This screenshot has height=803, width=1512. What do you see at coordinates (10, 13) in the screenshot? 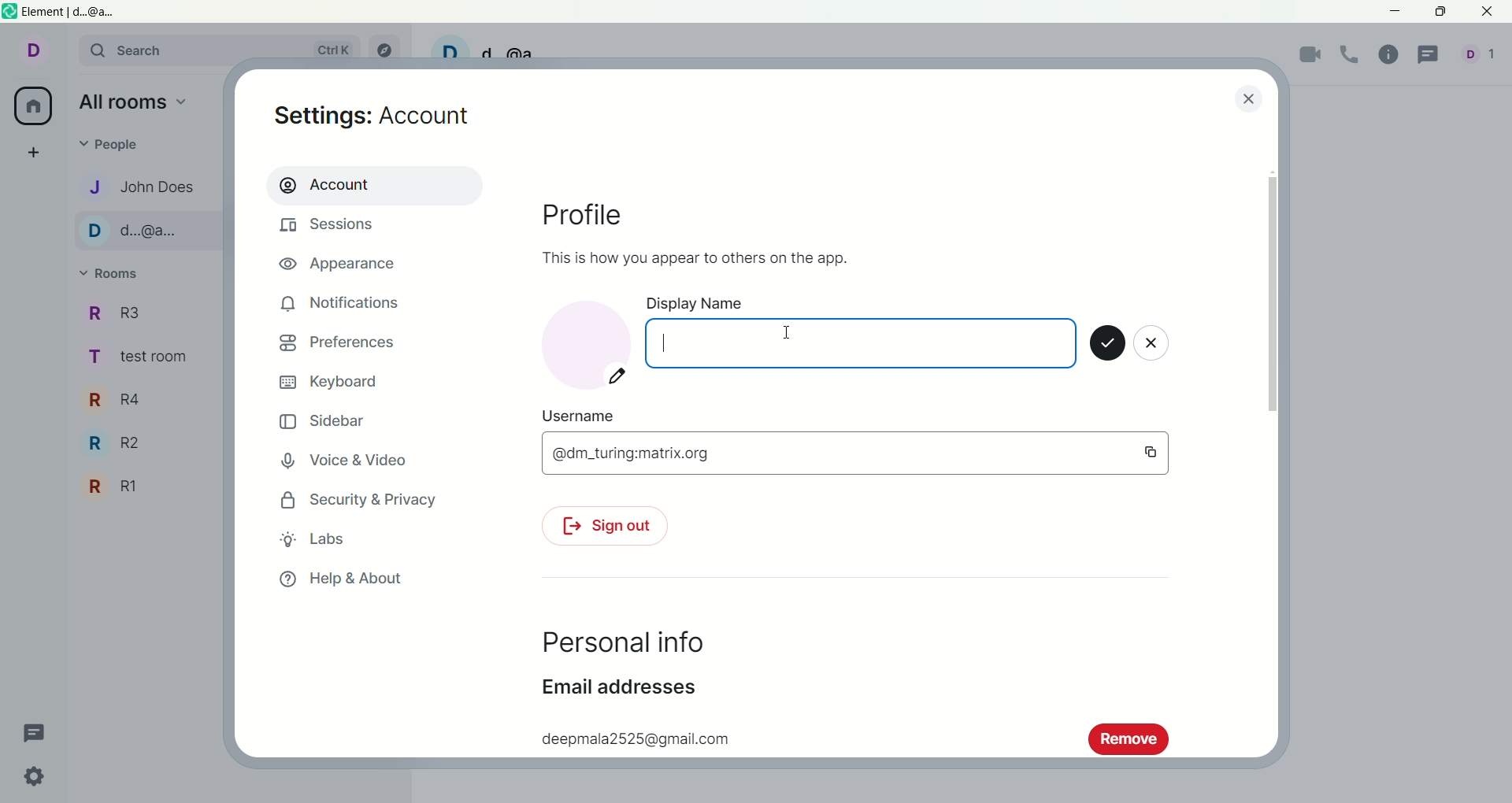
I see `logo` at bounding box center [10, 13].